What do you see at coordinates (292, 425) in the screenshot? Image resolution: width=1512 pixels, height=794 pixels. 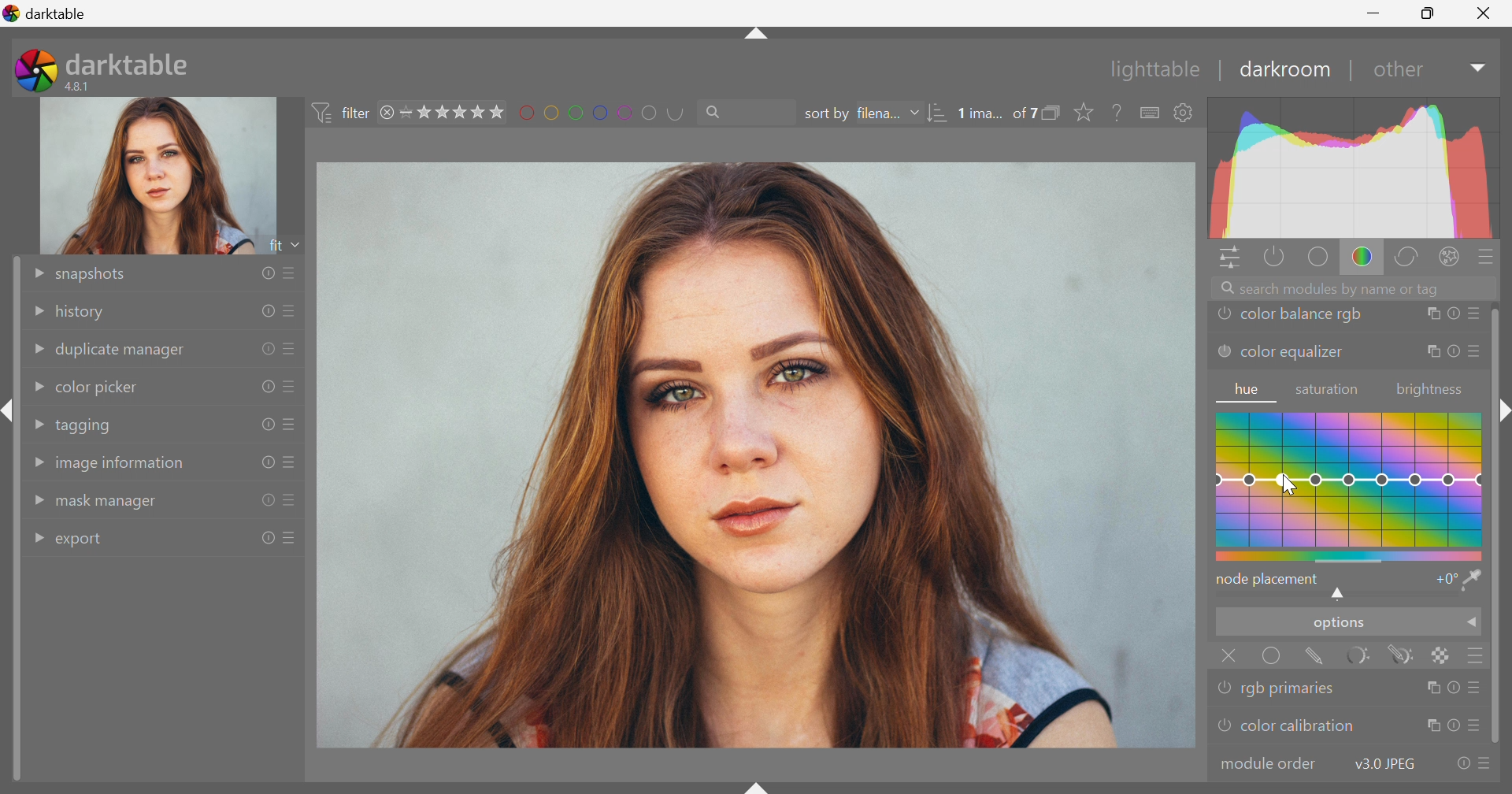 I see `presets` at bounding box center [292, 425].